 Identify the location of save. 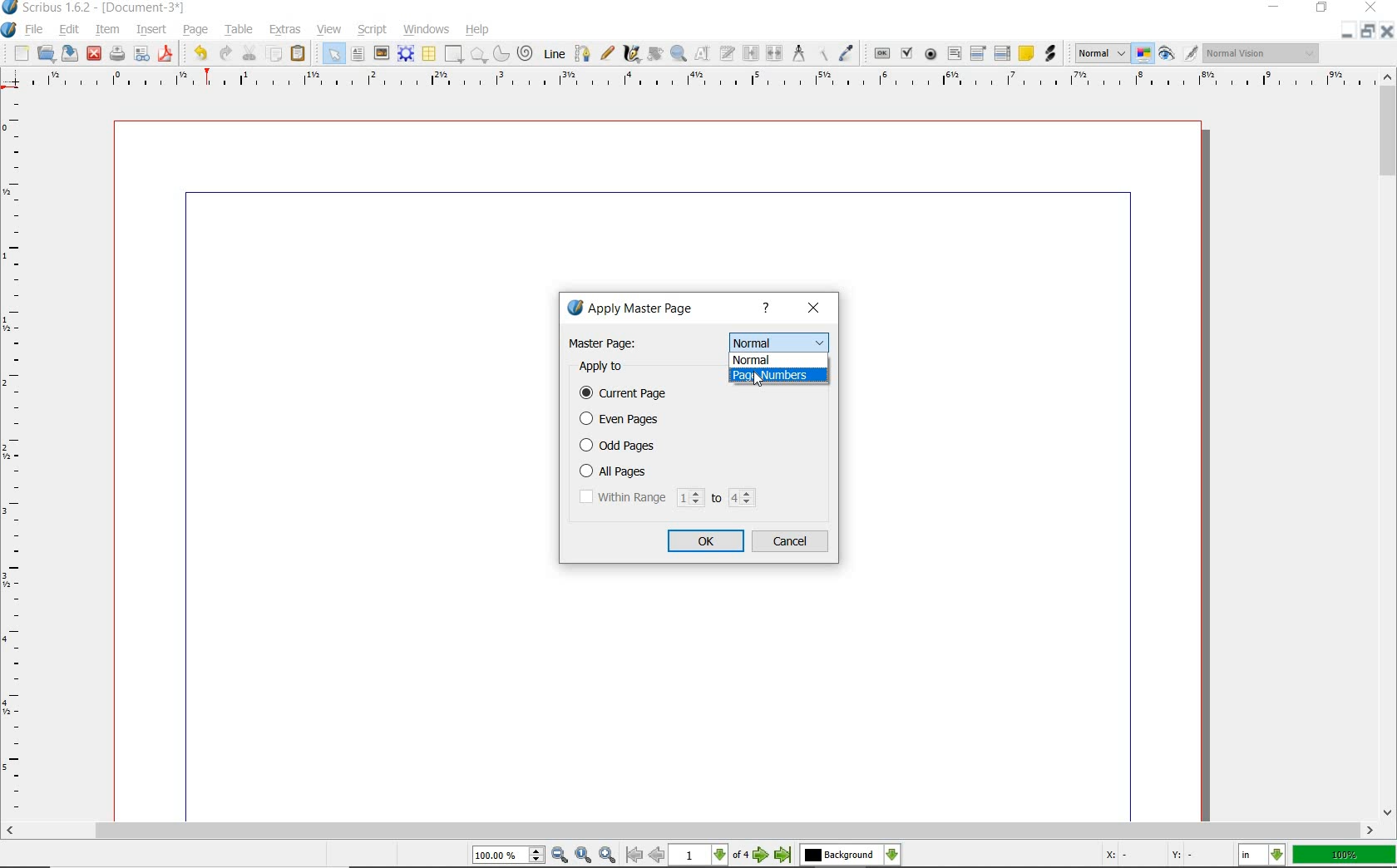
(68, 53).